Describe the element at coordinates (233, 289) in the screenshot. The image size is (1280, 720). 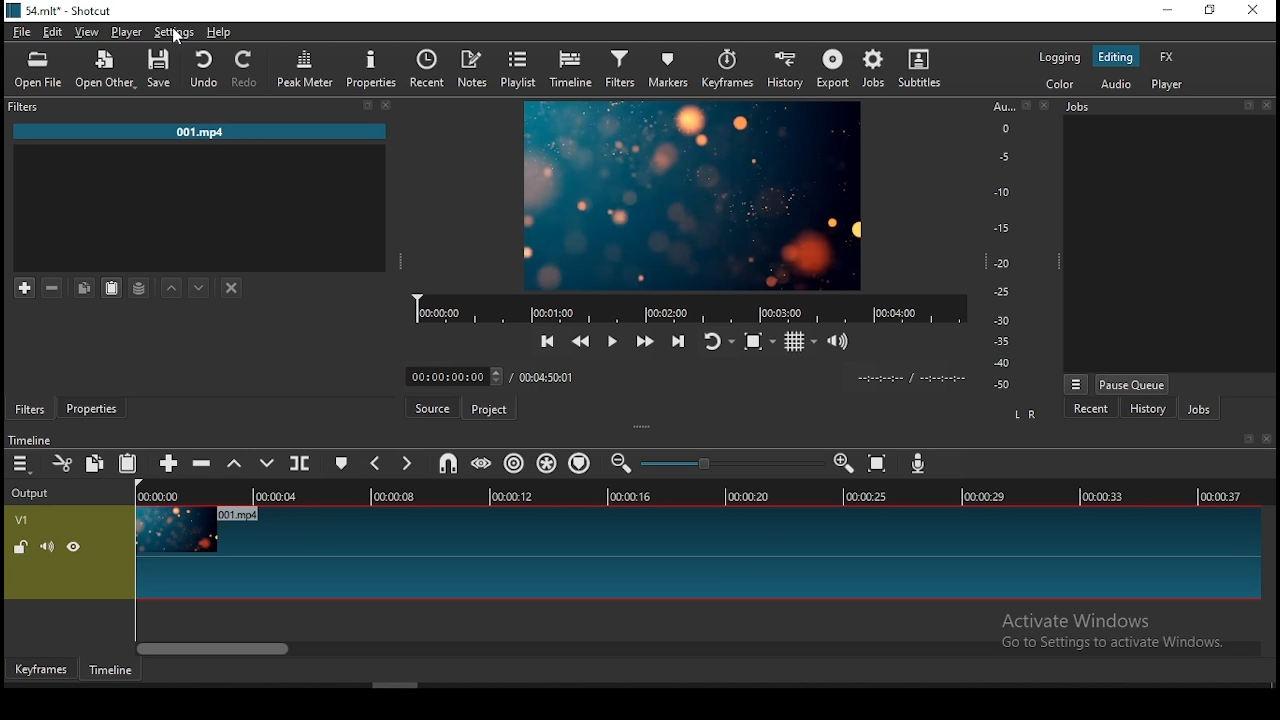
I see `deselect filter` at that location.